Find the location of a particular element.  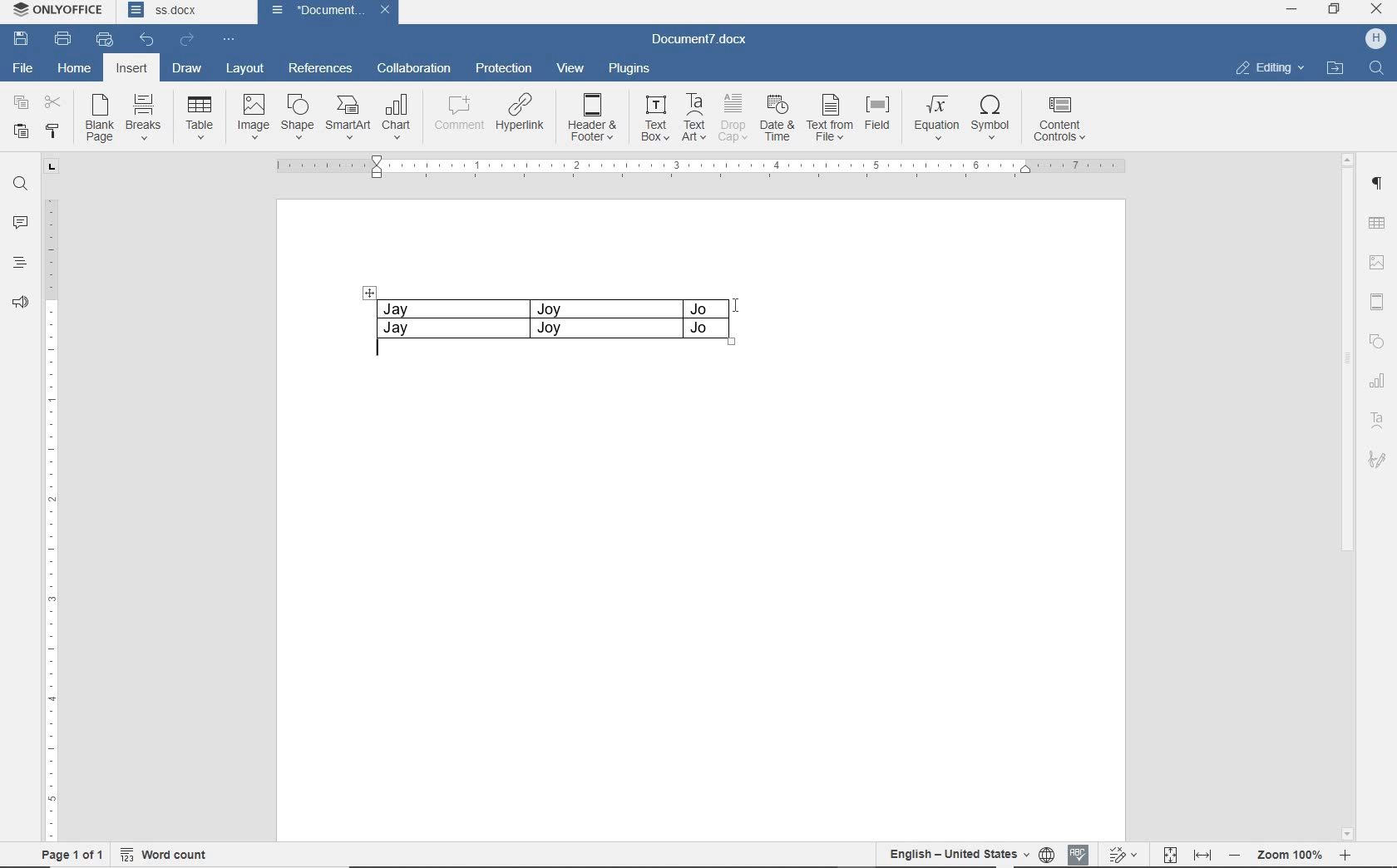

DROP CAP is located at coordinates (732, 116).